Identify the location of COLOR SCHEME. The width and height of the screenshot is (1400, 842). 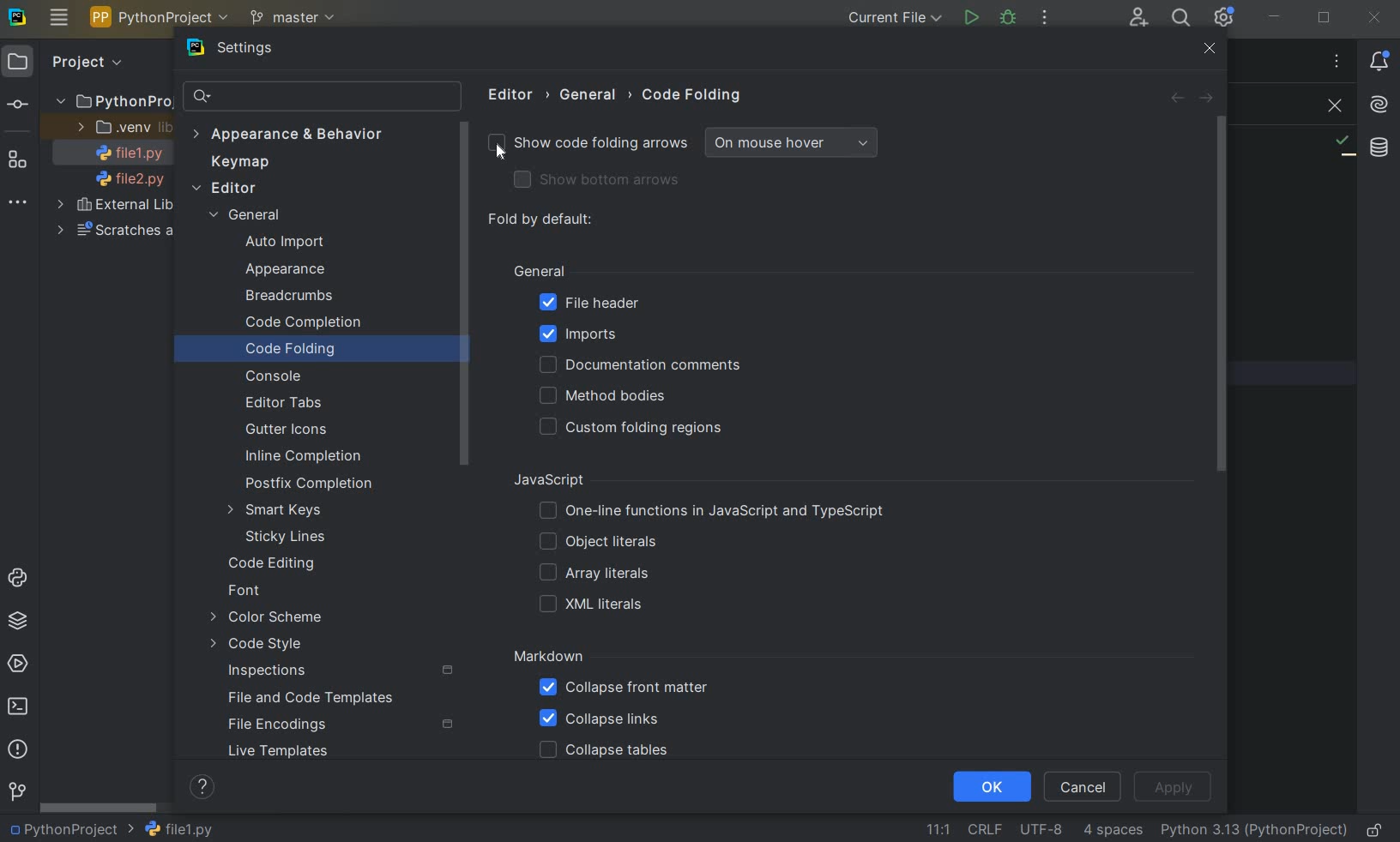
(269, 618).